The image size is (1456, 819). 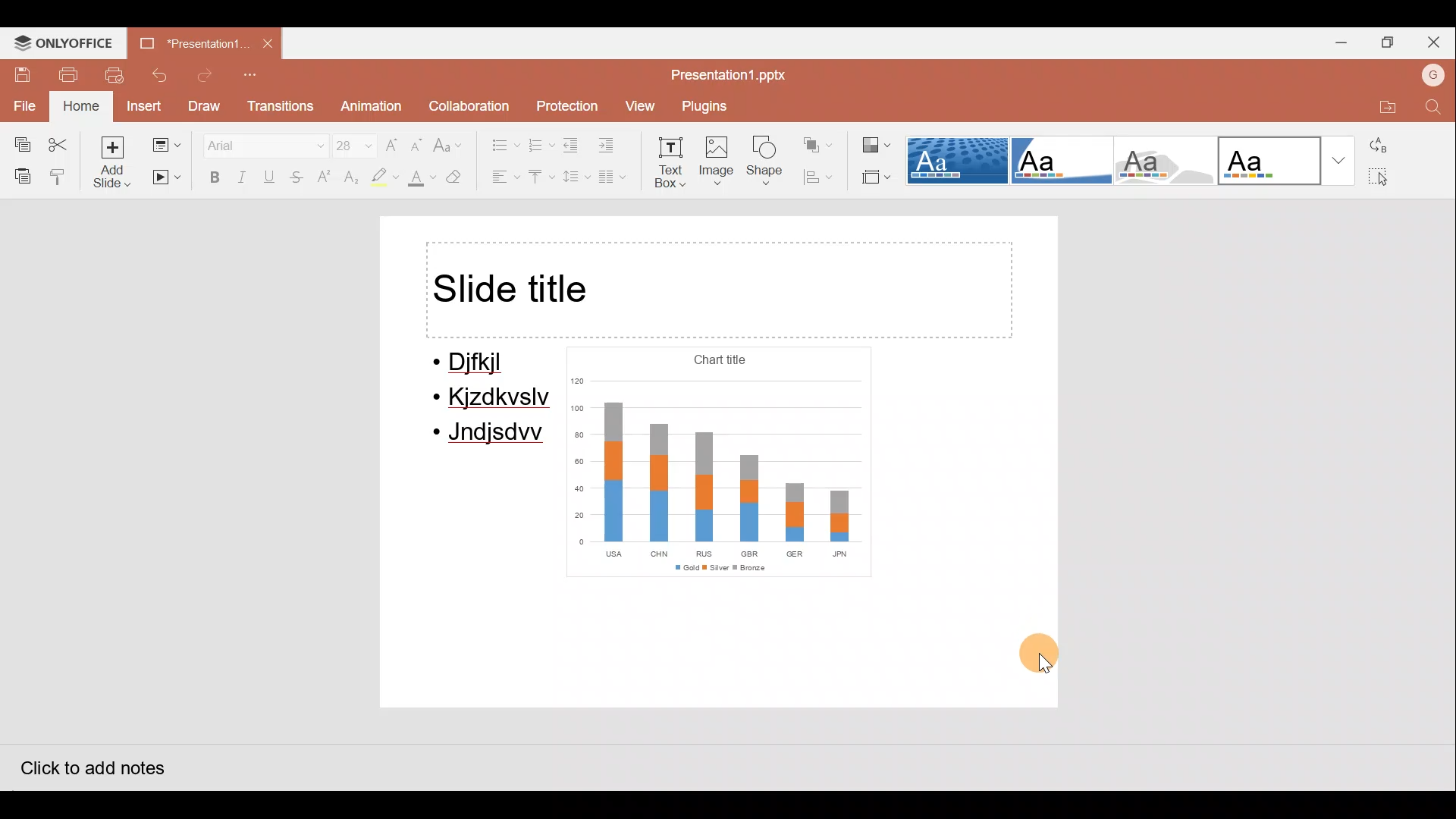 What do you see at coordinates (720, 162) in the screenshot?
I see `Image` at bounding box center [720, 162].